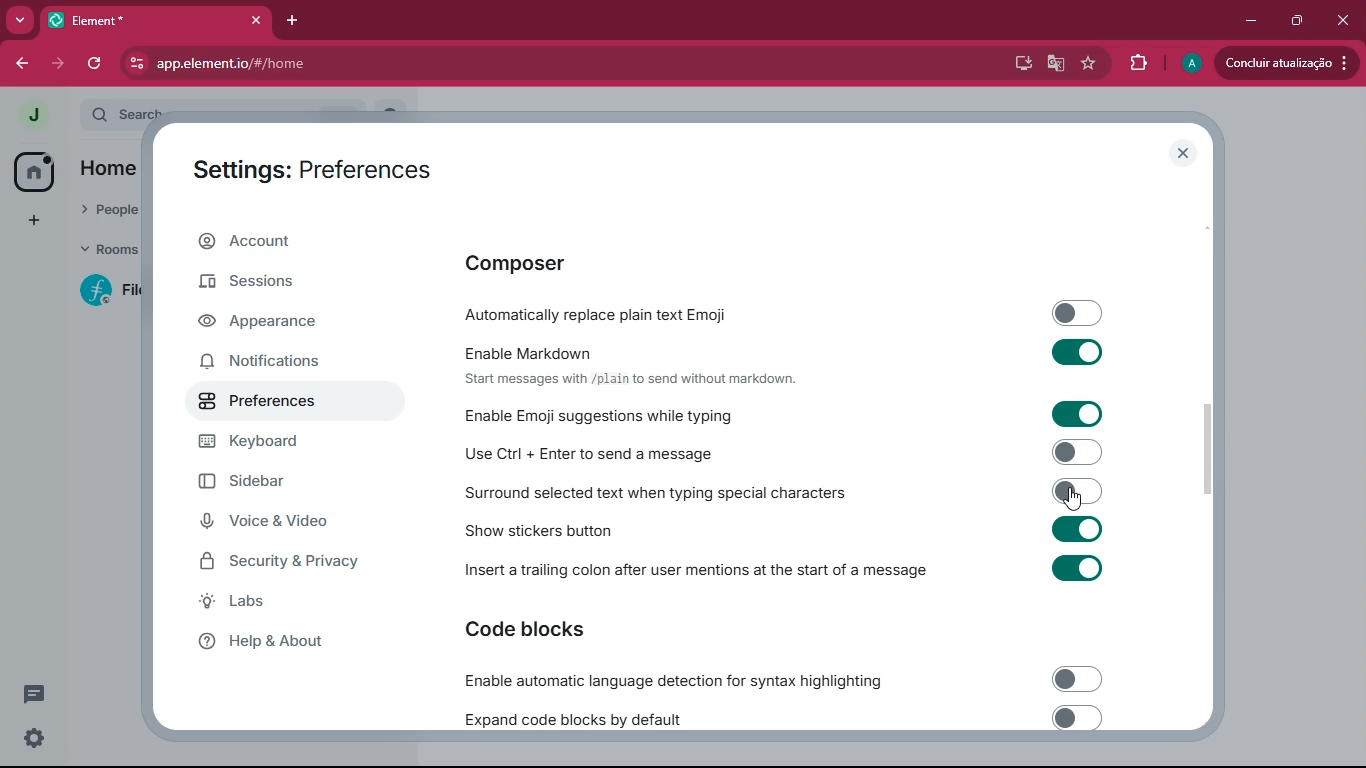  What do you see at coordinates (270, 522) in the screenshot?
I see `voice & video` at bounding box center [270, 522].